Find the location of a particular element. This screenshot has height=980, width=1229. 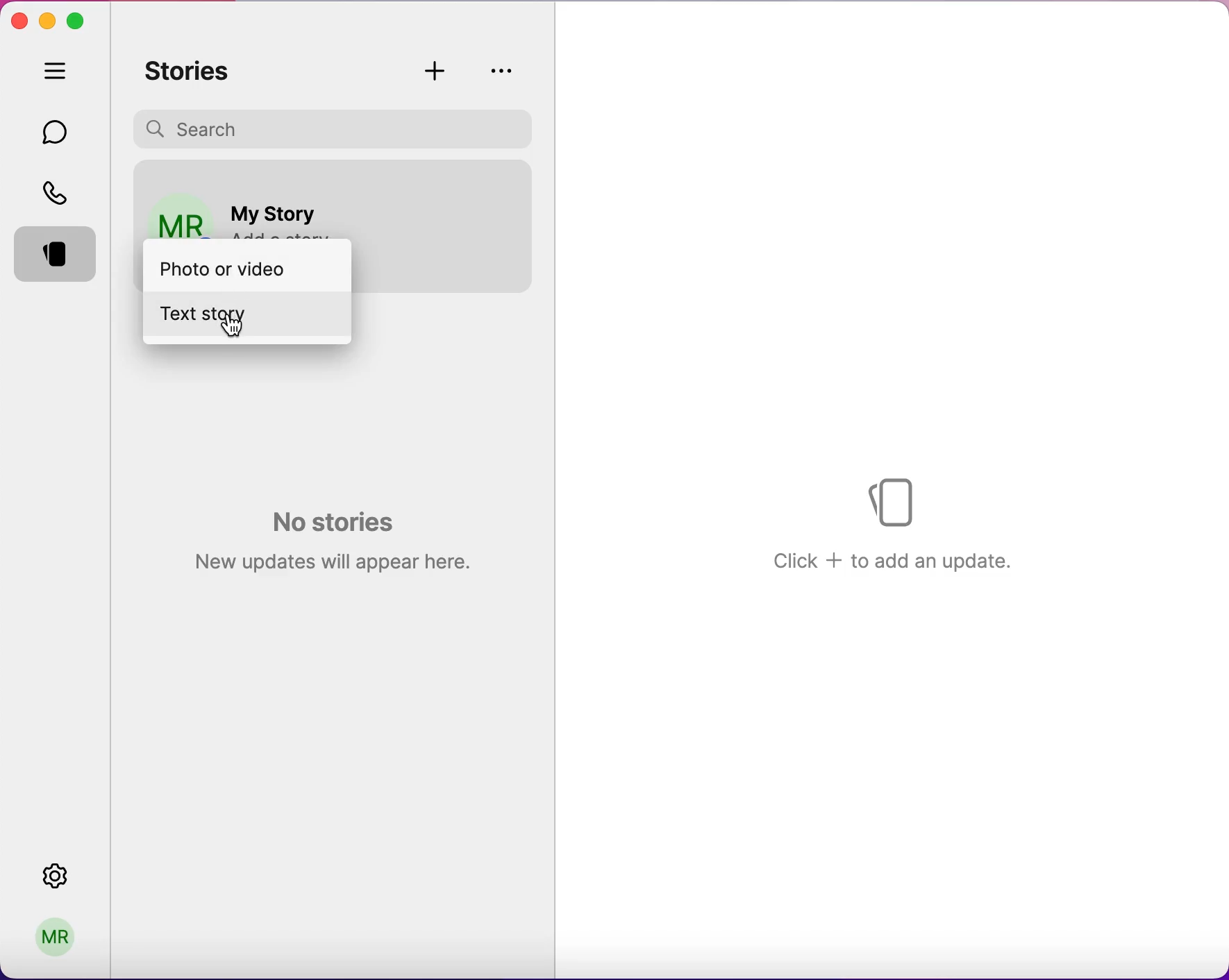

chats is located at coordinates (58, 131).